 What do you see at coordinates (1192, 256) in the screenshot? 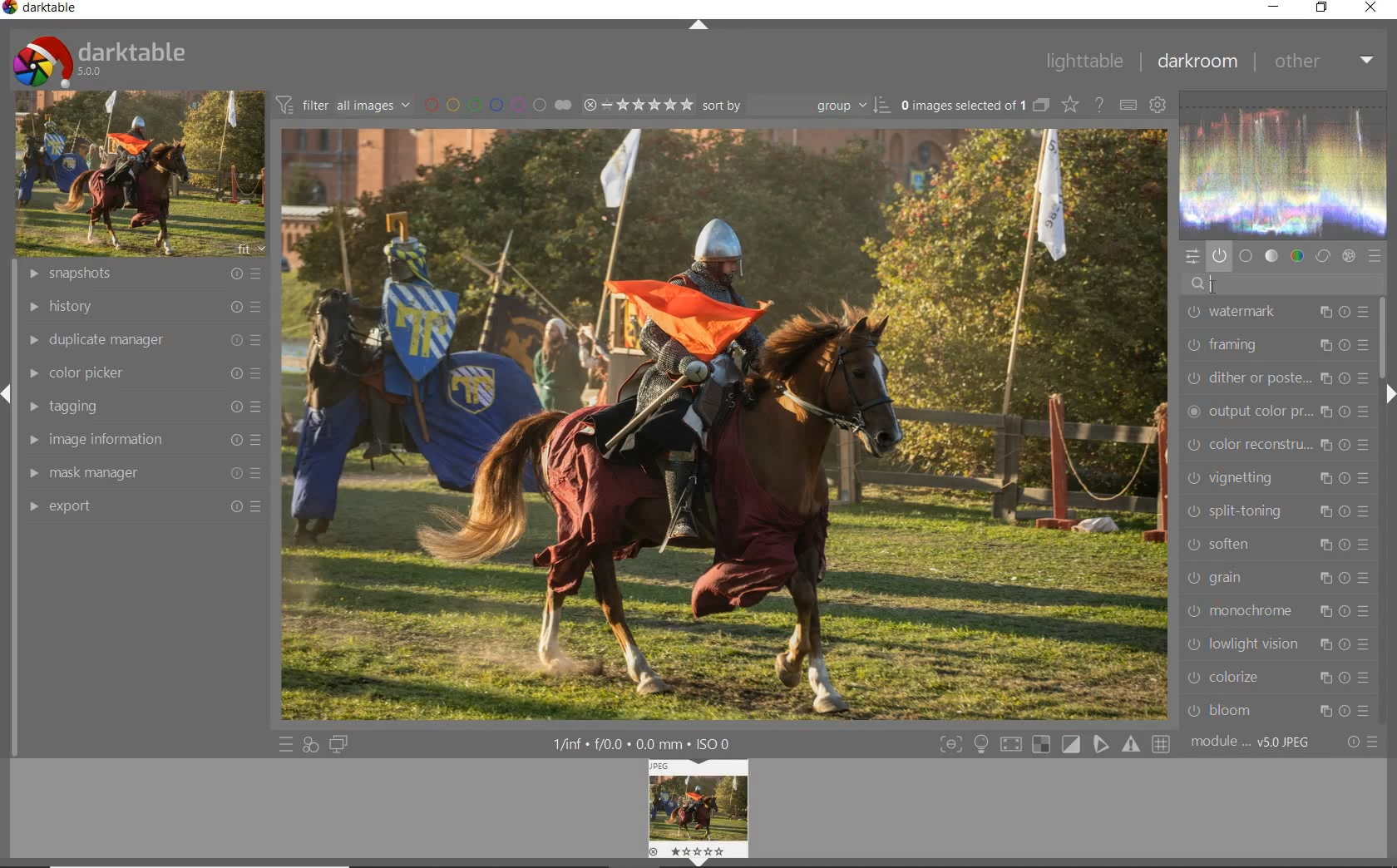
I see `quick access panel` at bounding box center [1192, 256].